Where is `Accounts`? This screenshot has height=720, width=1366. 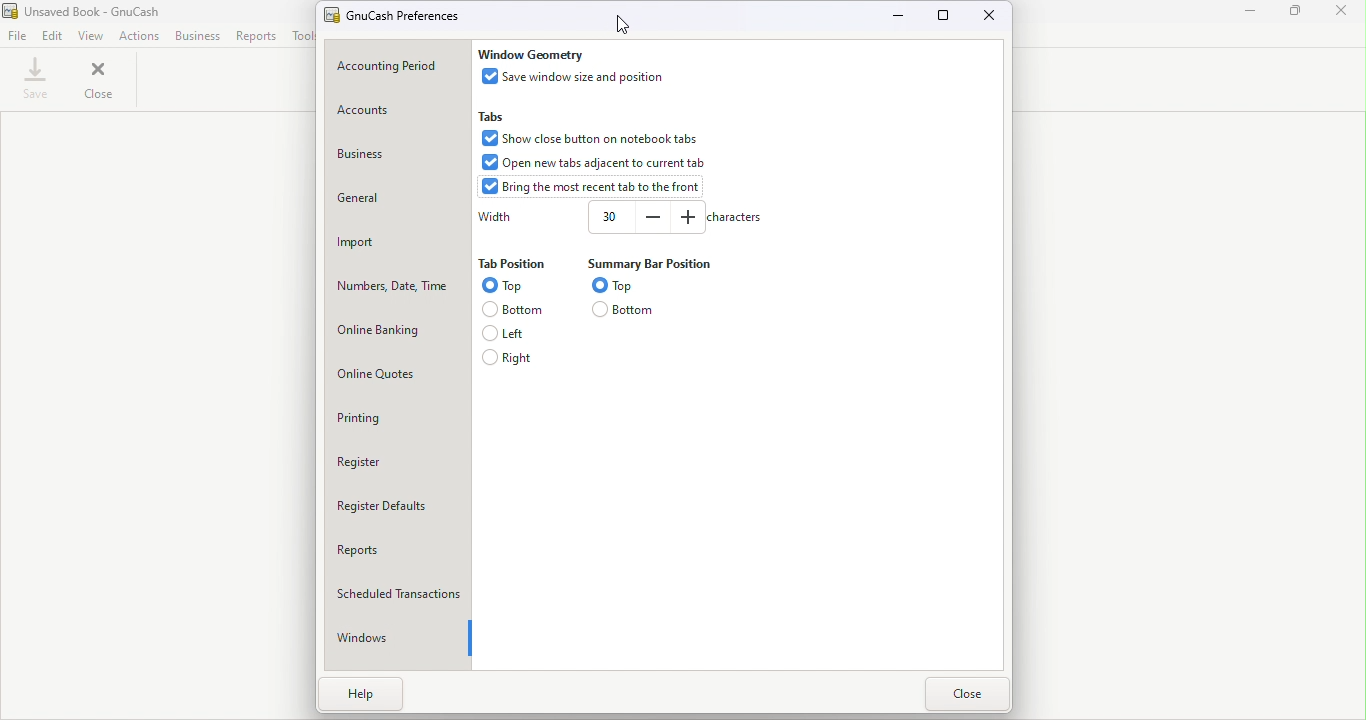
Accounts is located at coordinates (397, 113).